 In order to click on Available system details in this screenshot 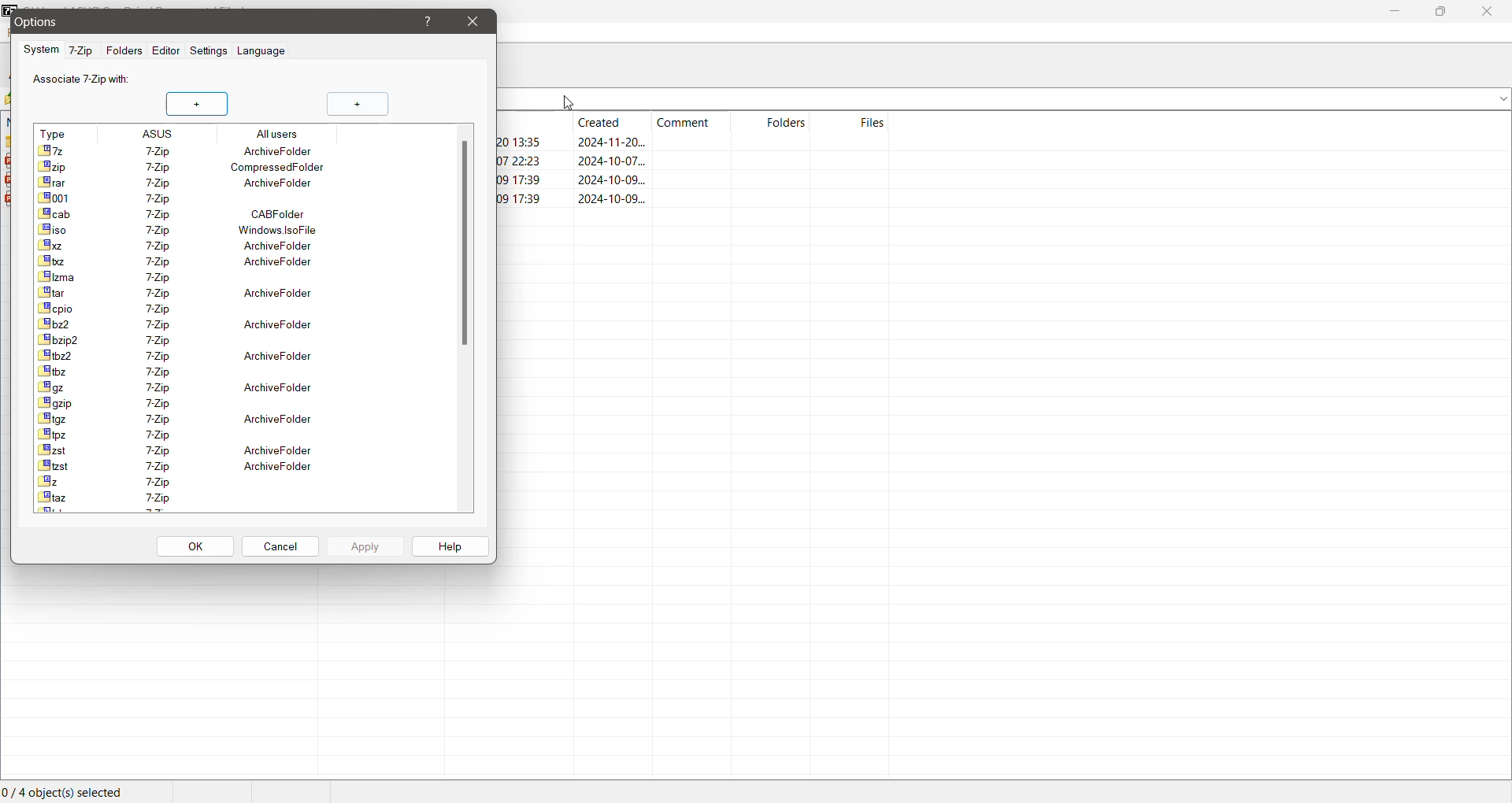, I will do `click(177, 198)`.